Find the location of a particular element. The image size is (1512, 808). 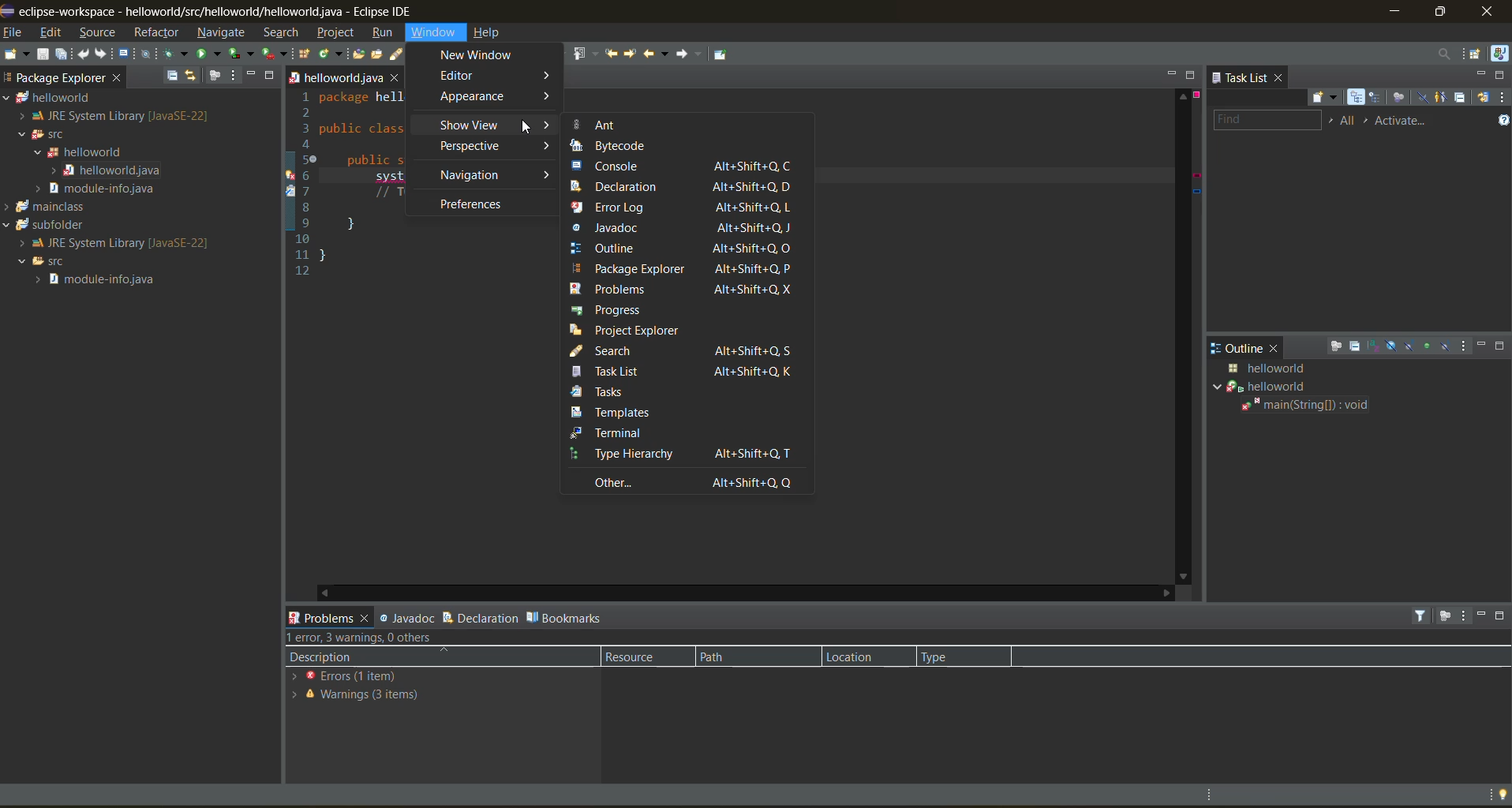

toggle  block selection mode is located at coordinates (505, 54).